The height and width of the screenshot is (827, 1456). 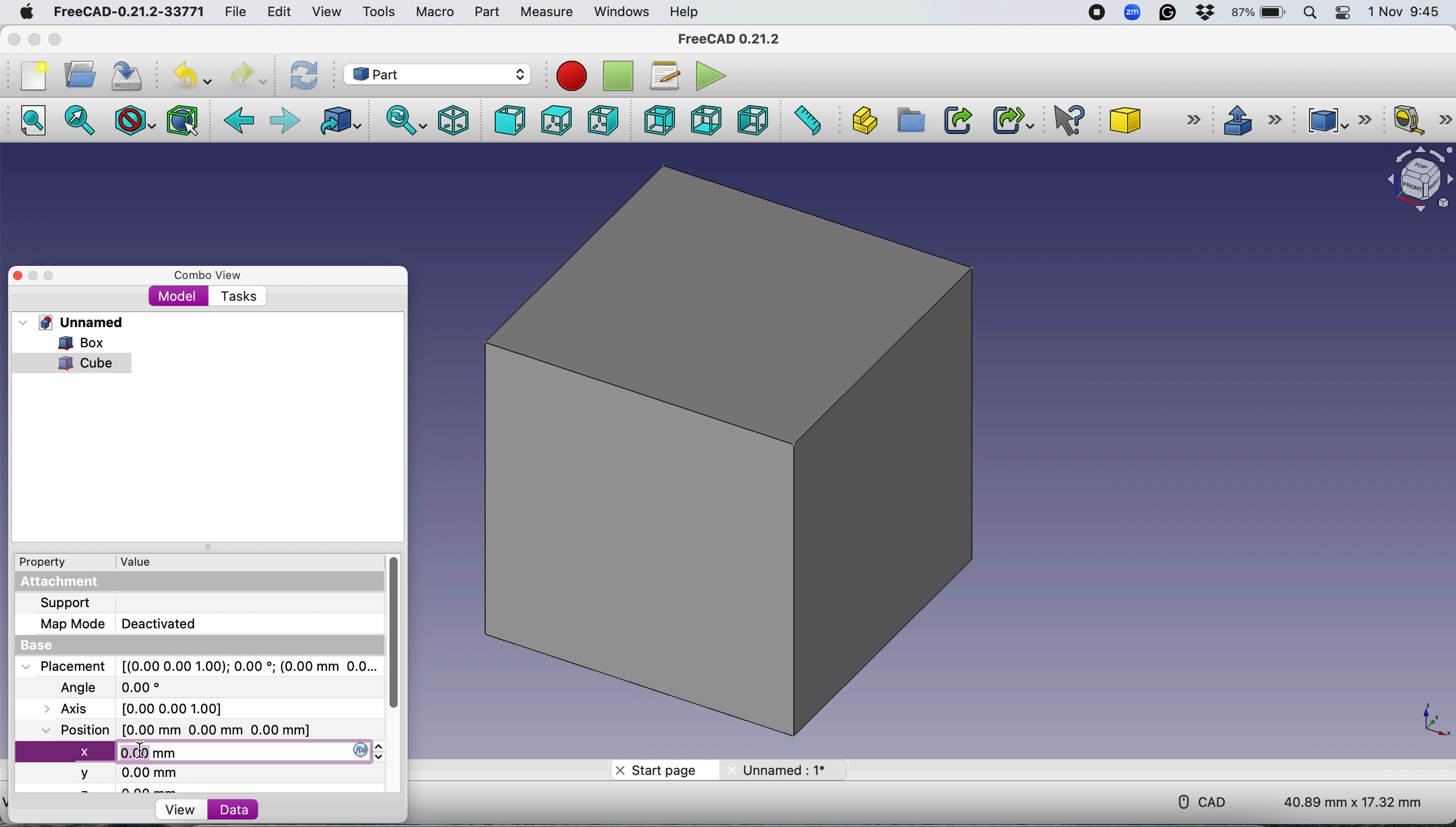 I want to click on Macro, so click(x=435, y=13).